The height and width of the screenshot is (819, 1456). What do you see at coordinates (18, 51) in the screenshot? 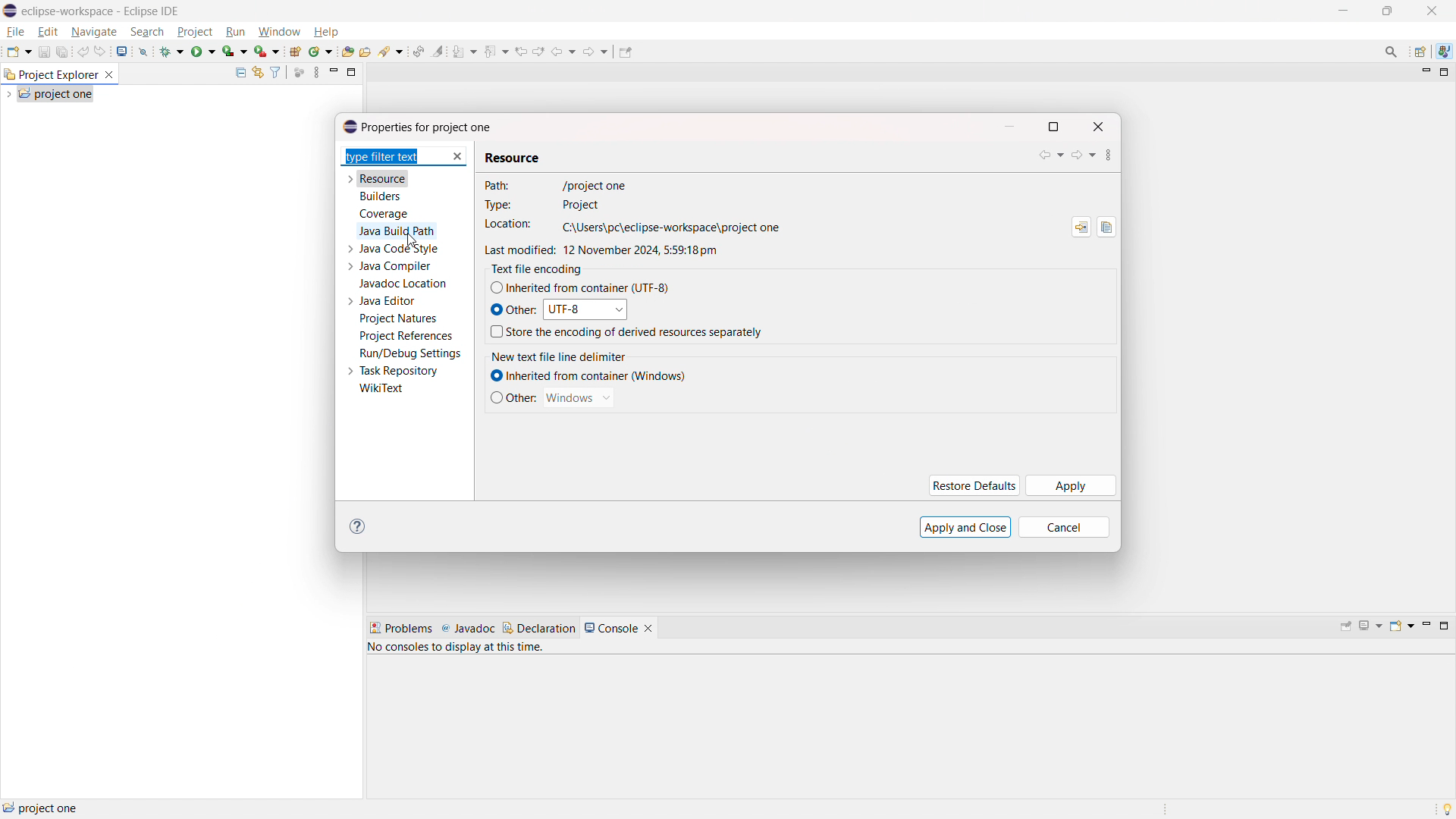
I see `new` at bounding box center [18, 51].